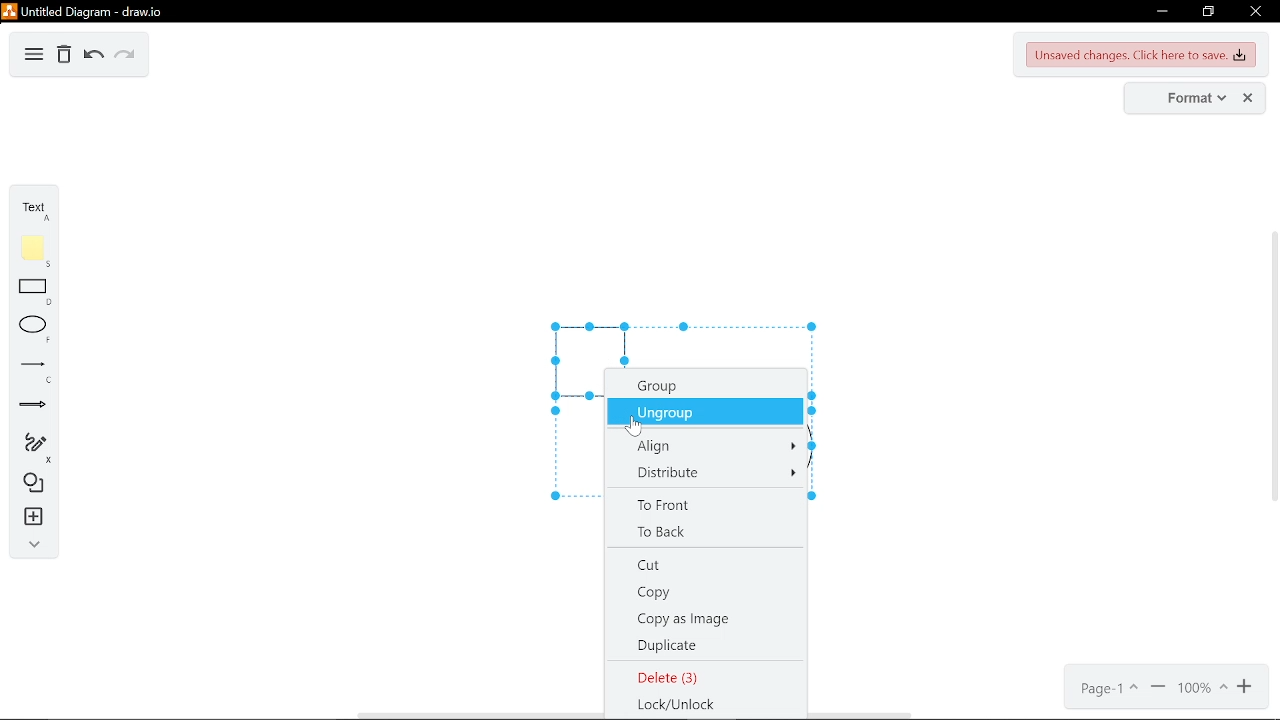 Image resolution: width=1280 pixels, height=720 pixels. What do you see at coordinates (27, 448) in the screenshot?
I see `freehand` at bounding box center [27, 448].